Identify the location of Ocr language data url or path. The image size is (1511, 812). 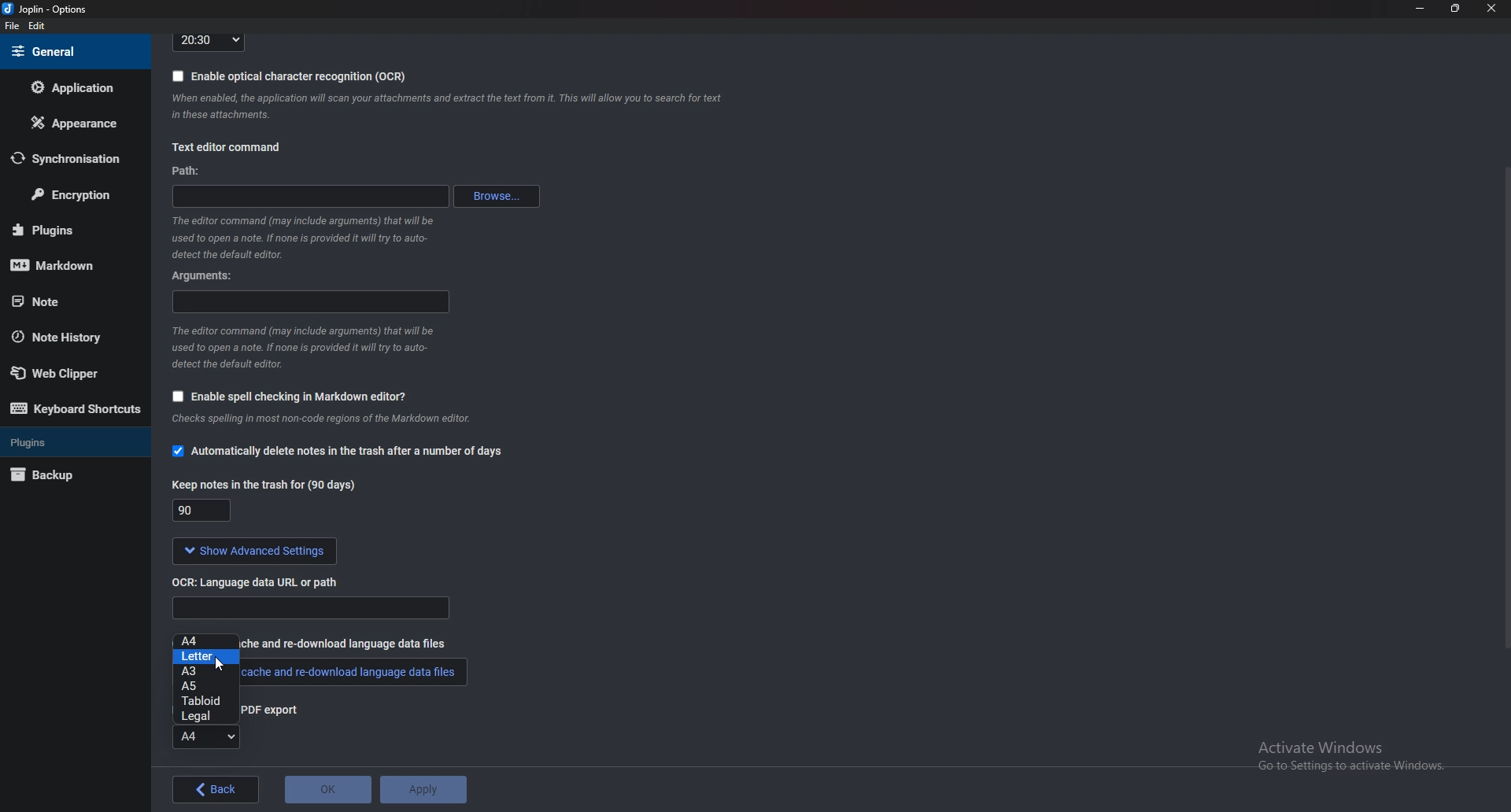
(310, 608).